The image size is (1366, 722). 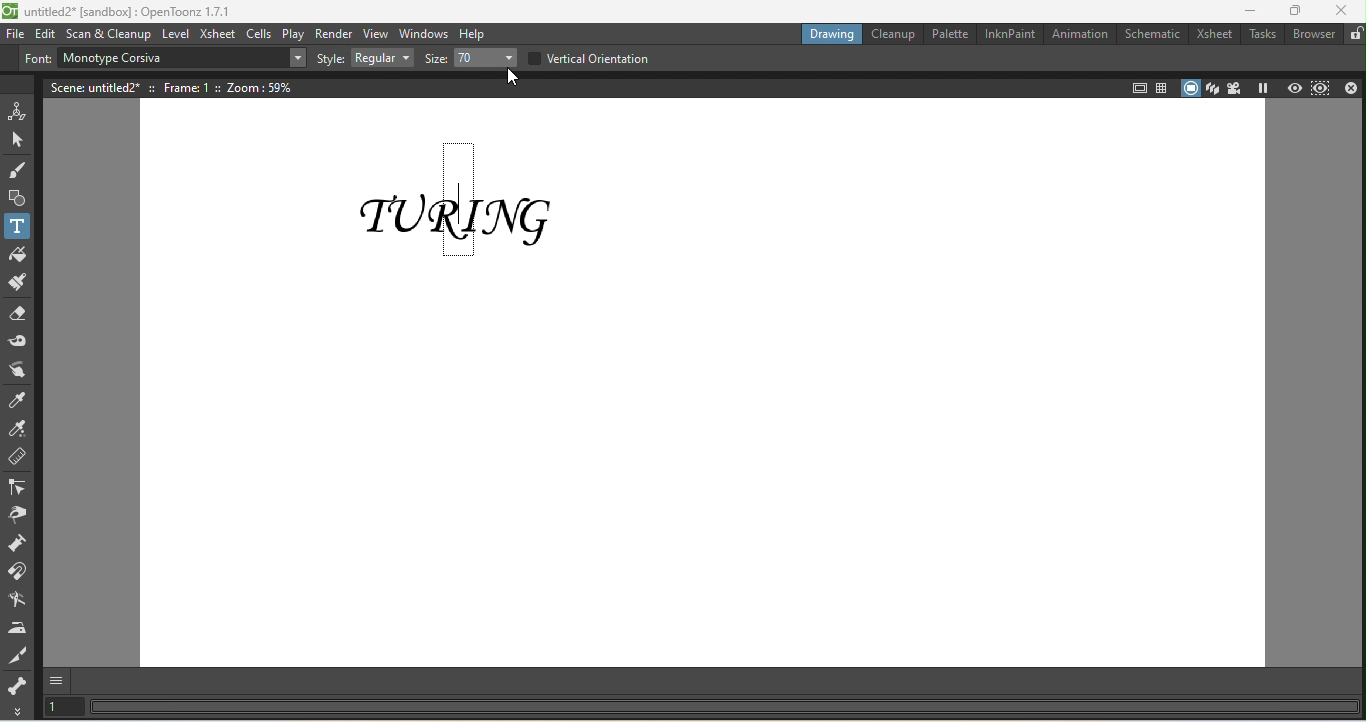 I want to click on Freeze, so click(x=1264, y=87).